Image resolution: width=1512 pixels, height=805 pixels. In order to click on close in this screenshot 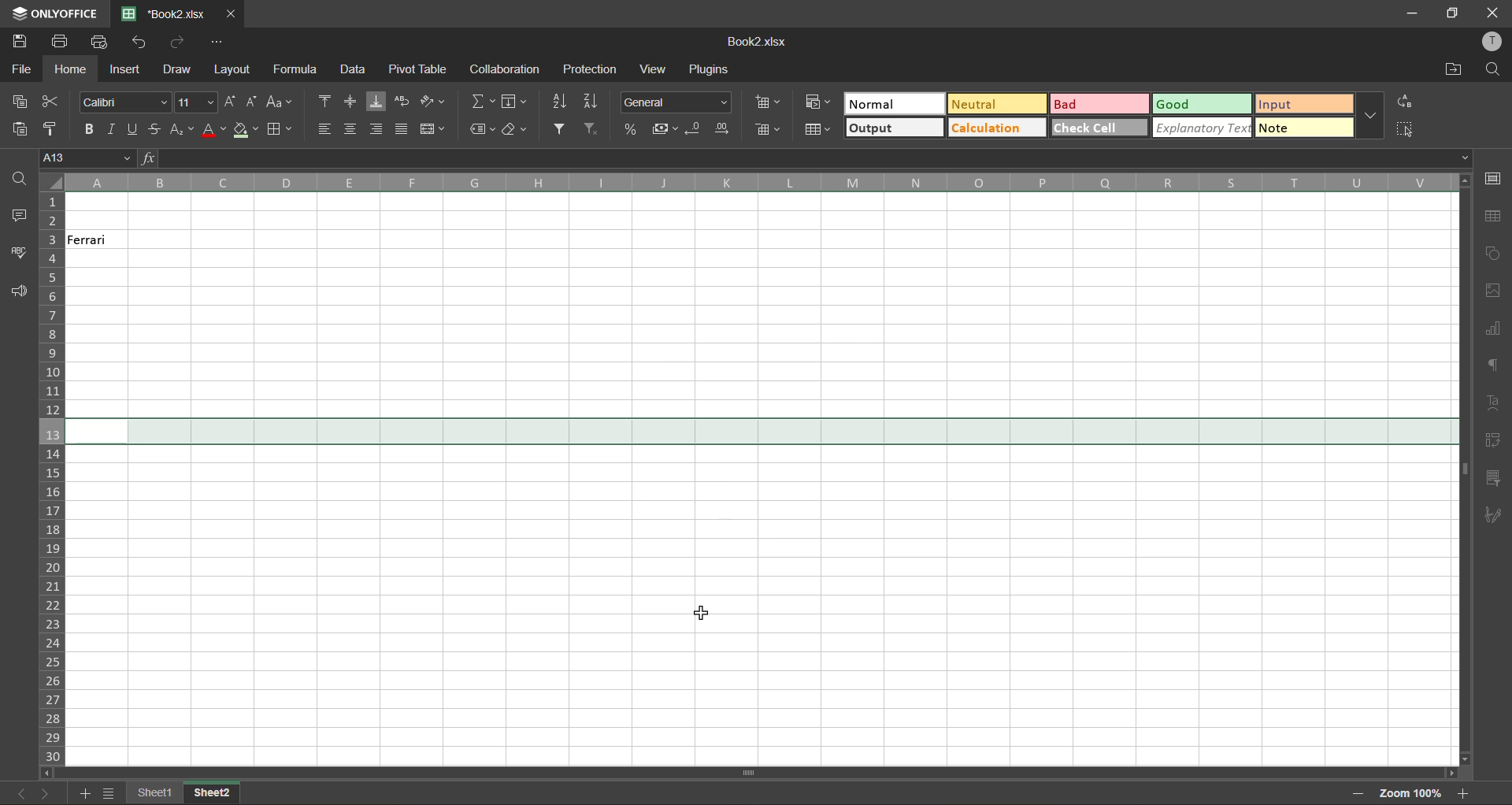, I will do `click(1494, 11)`.